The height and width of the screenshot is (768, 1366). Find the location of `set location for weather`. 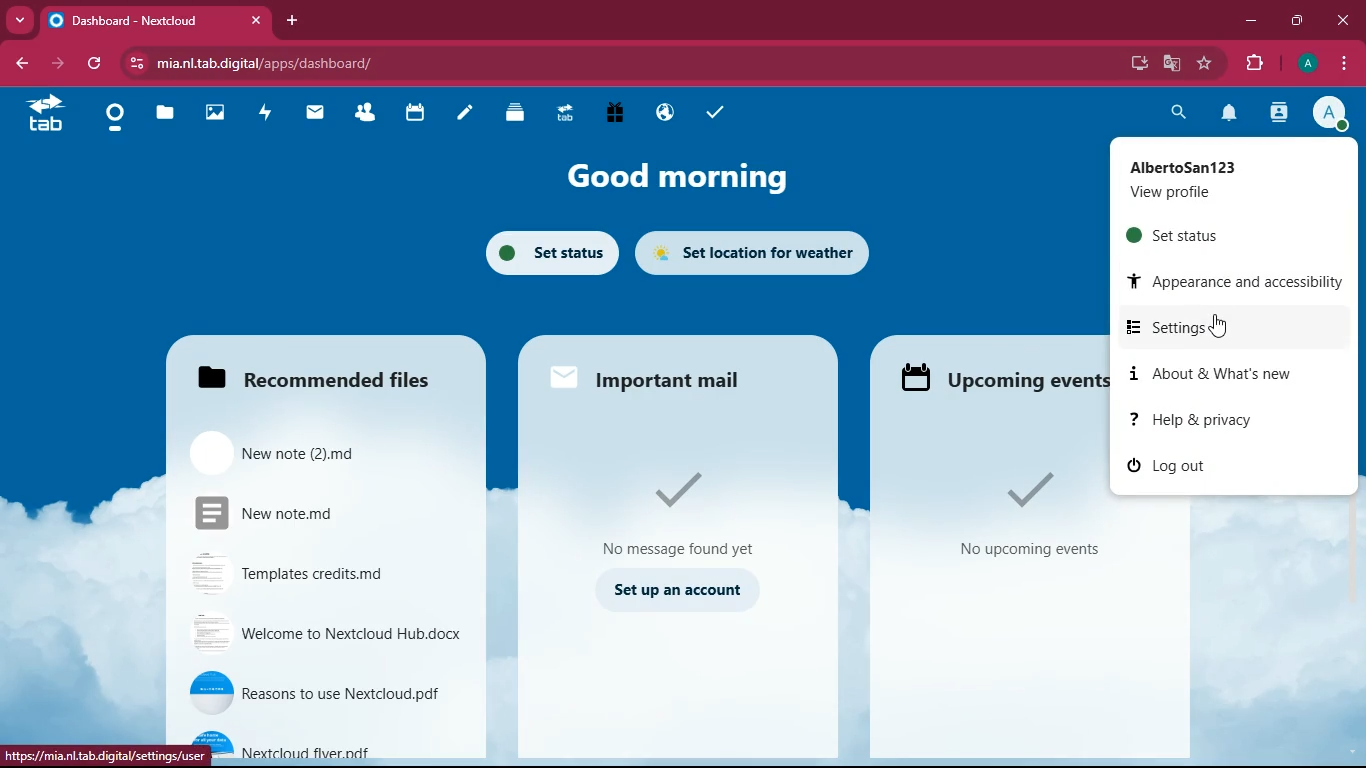

set location for weather is located at coordinates (756, 250).